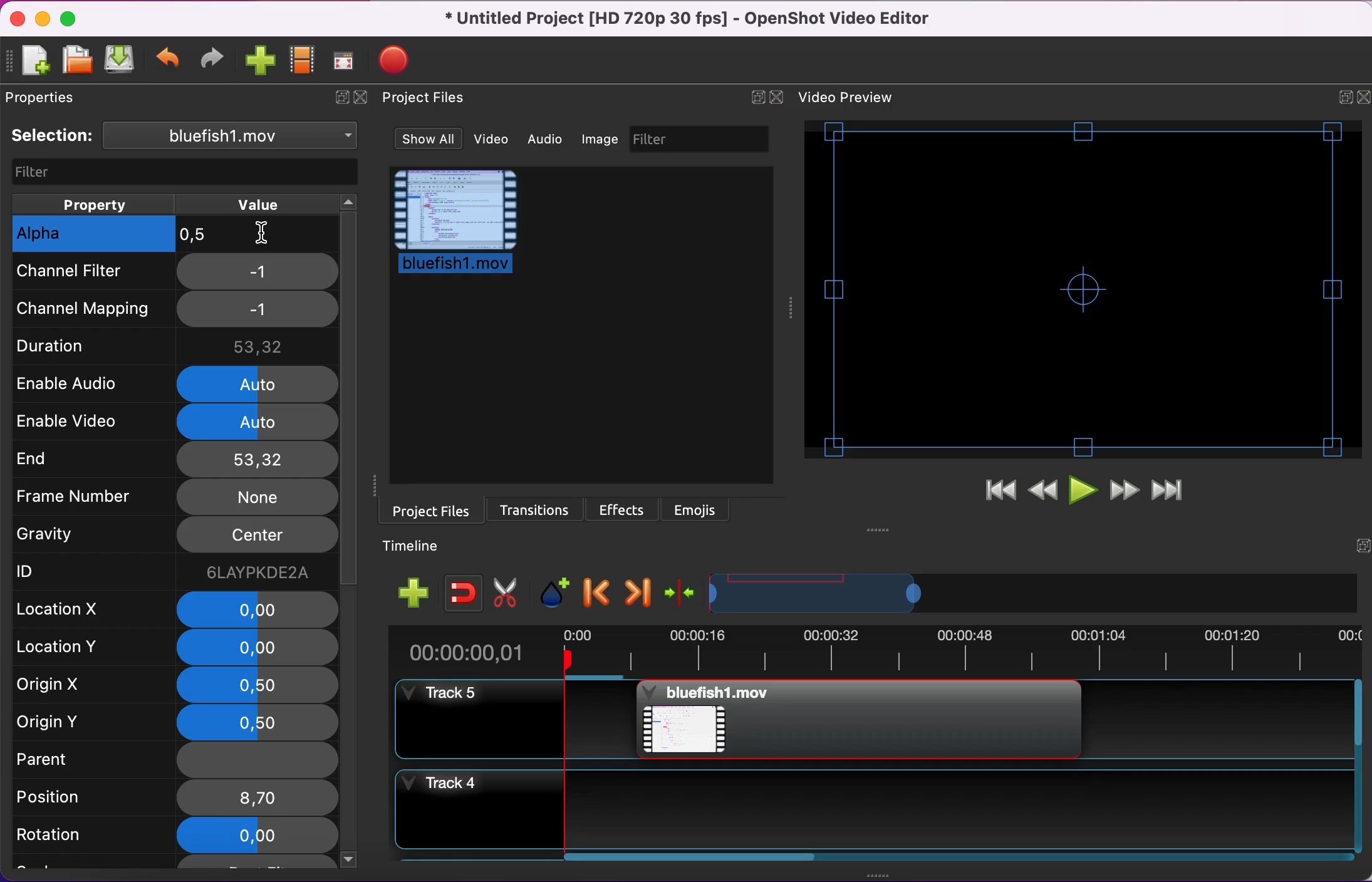 The height and width of the screenshot is (882, 1372). What do you see at coordinates (93, 234) in the screenshot?
I see `alpha` at bounding box center [93, 234].